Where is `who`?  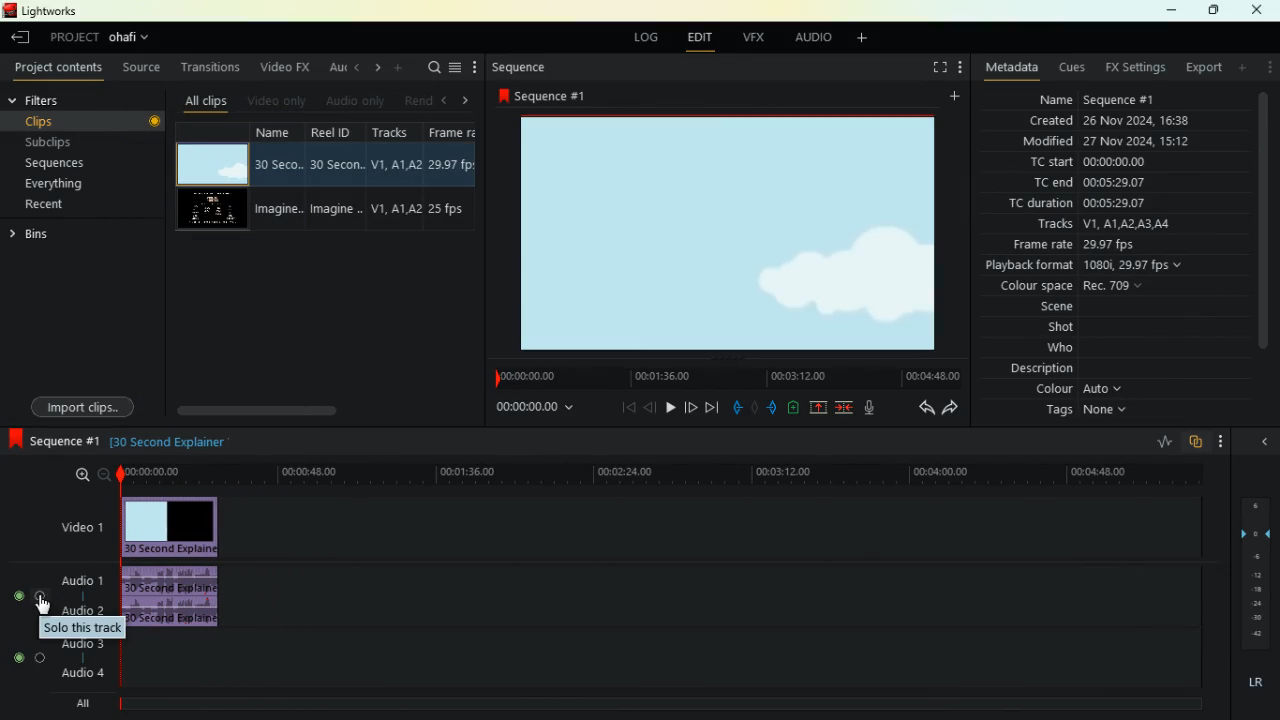 who is located at coordinates (1067, 348).